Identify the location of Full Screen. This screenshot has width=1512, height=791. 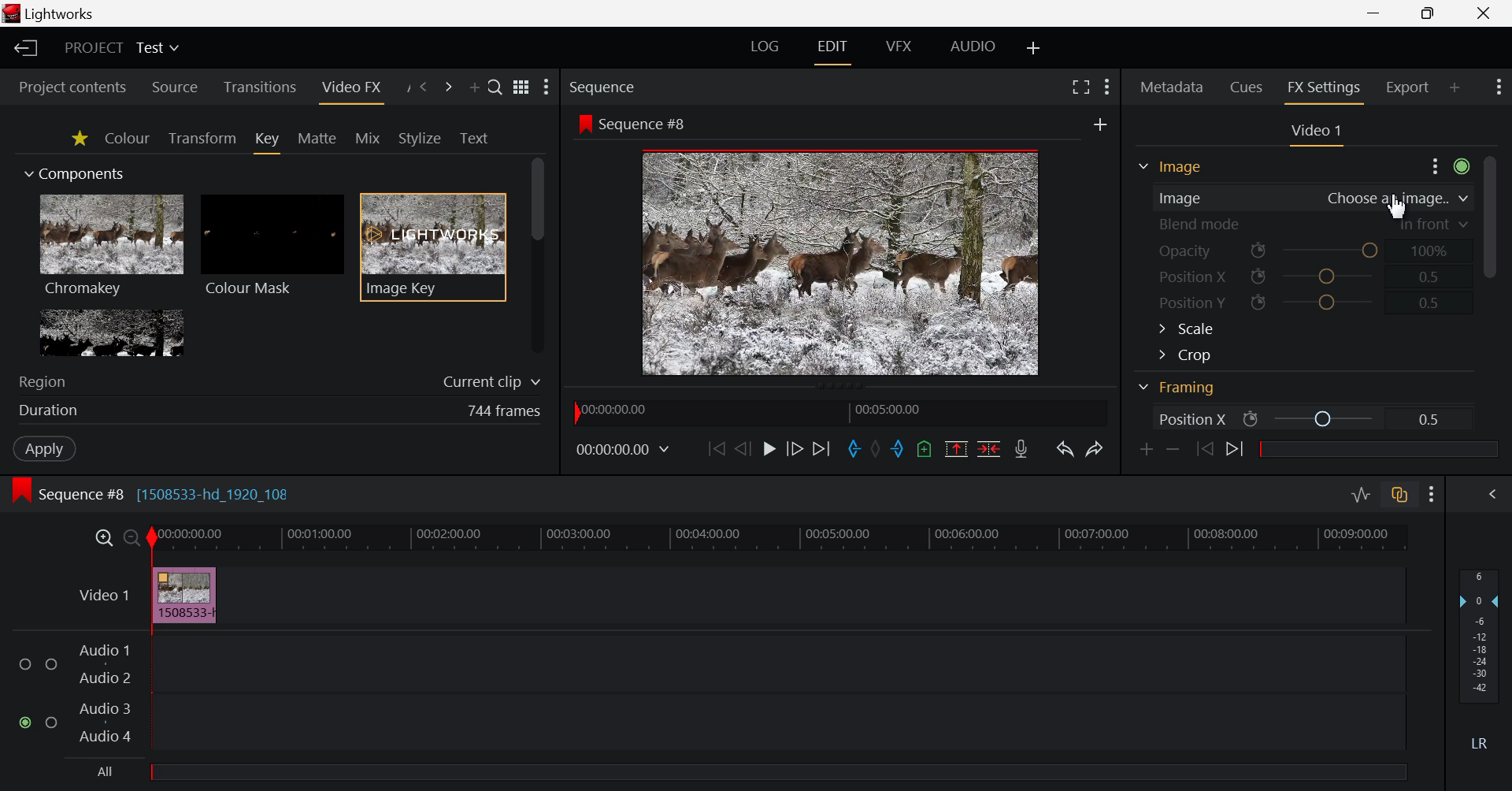
(1080, 87).